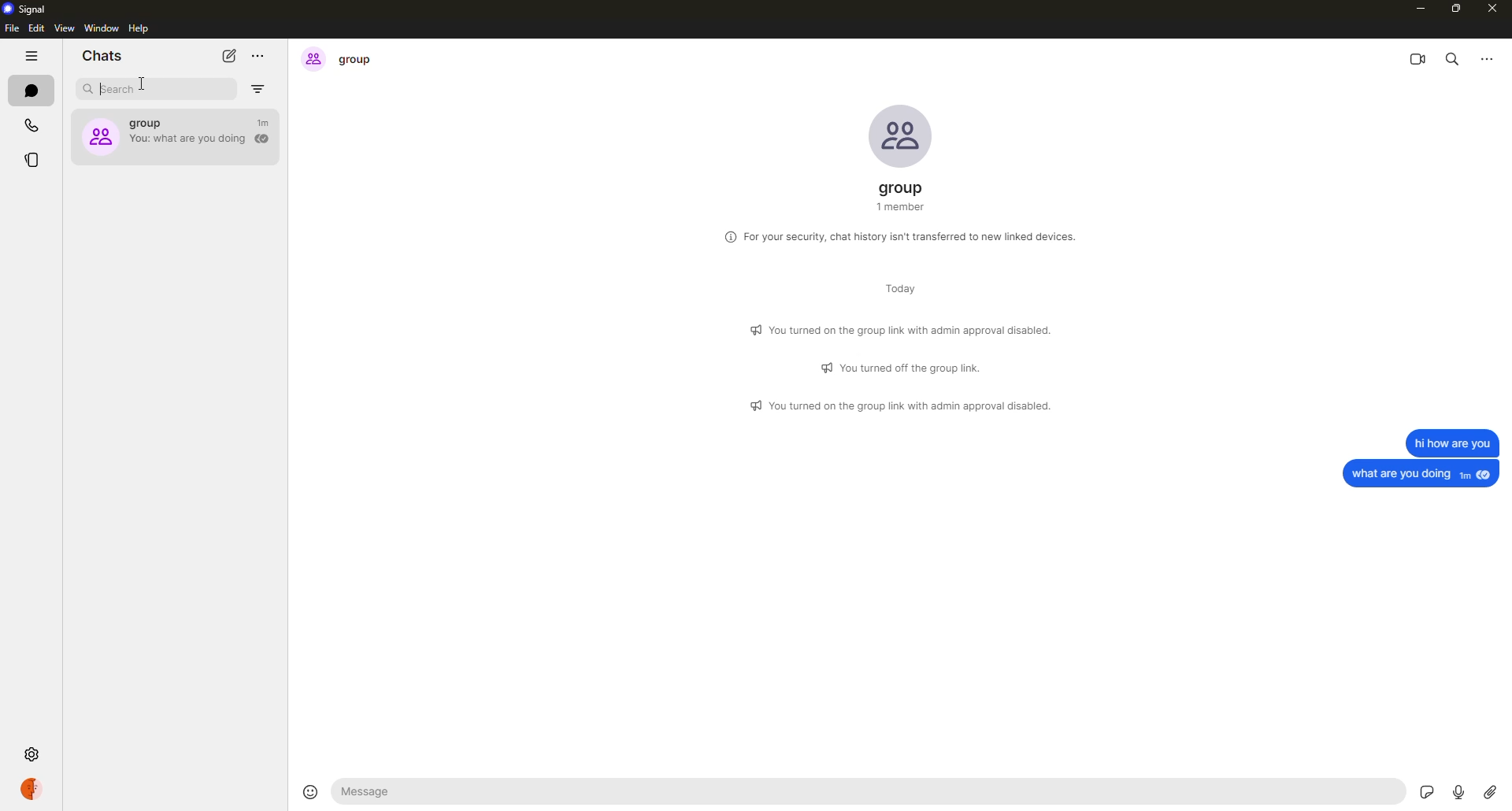  I want to click on message, so click(375, 792).